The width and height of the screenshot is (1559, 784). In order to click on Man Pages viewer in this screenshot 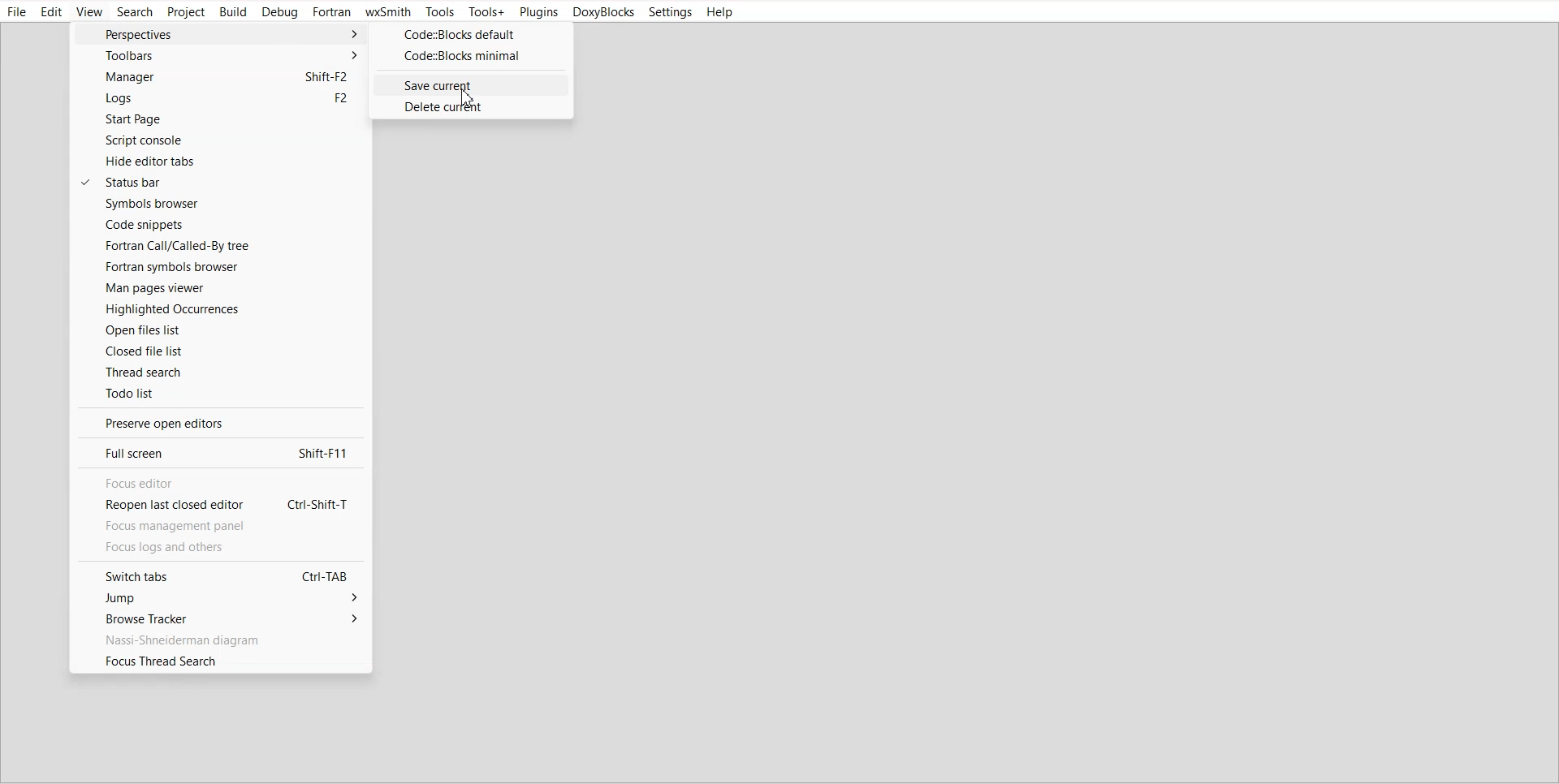, I will do `click(219, 288)`.